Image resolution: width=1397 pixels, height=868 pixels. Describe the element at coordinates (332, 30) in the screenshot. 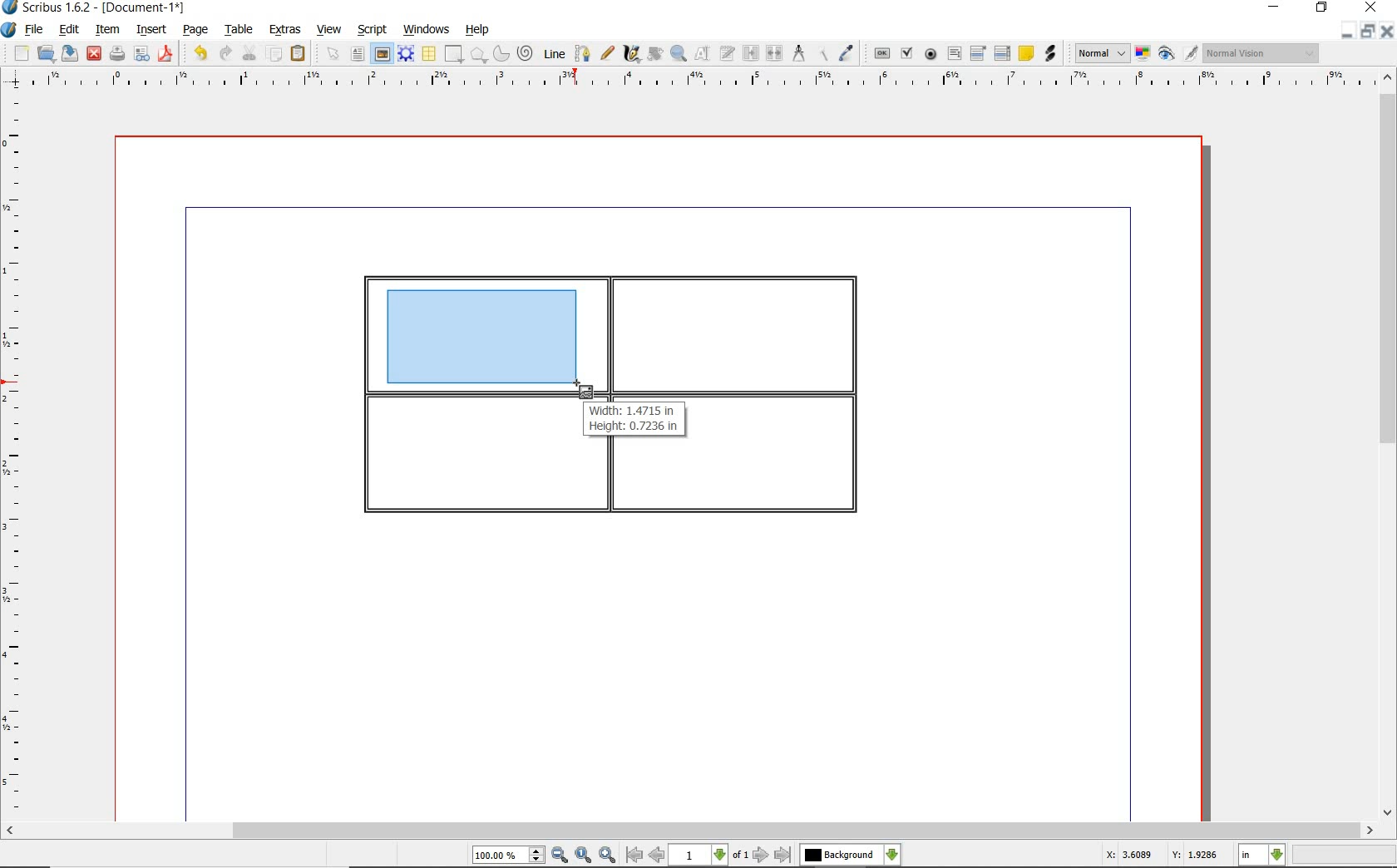

I see `view ` at that location.